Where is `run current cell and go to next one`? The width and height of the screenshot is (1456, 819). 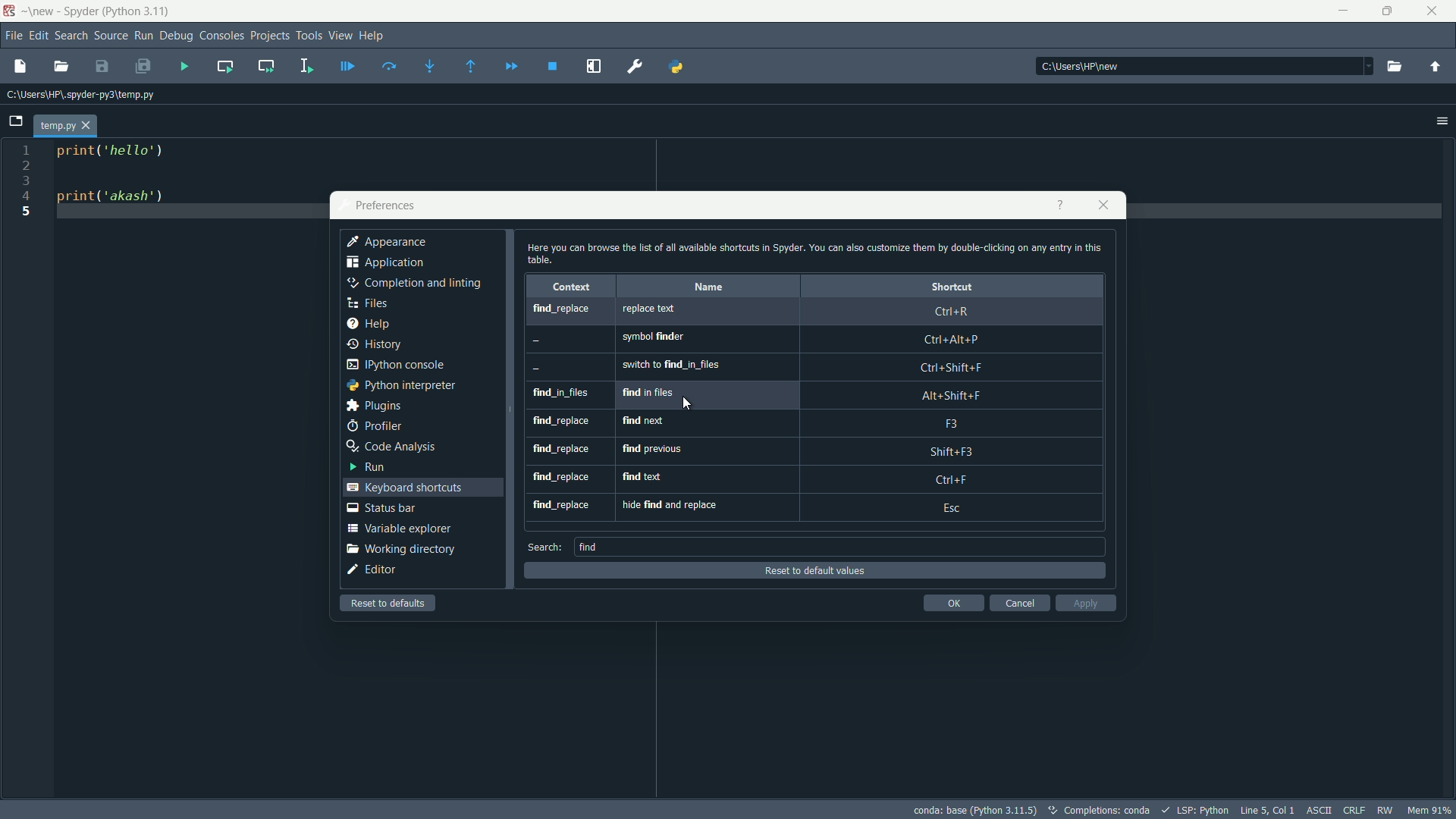 run current cell and go to next one is located at coordinates (265, 68).